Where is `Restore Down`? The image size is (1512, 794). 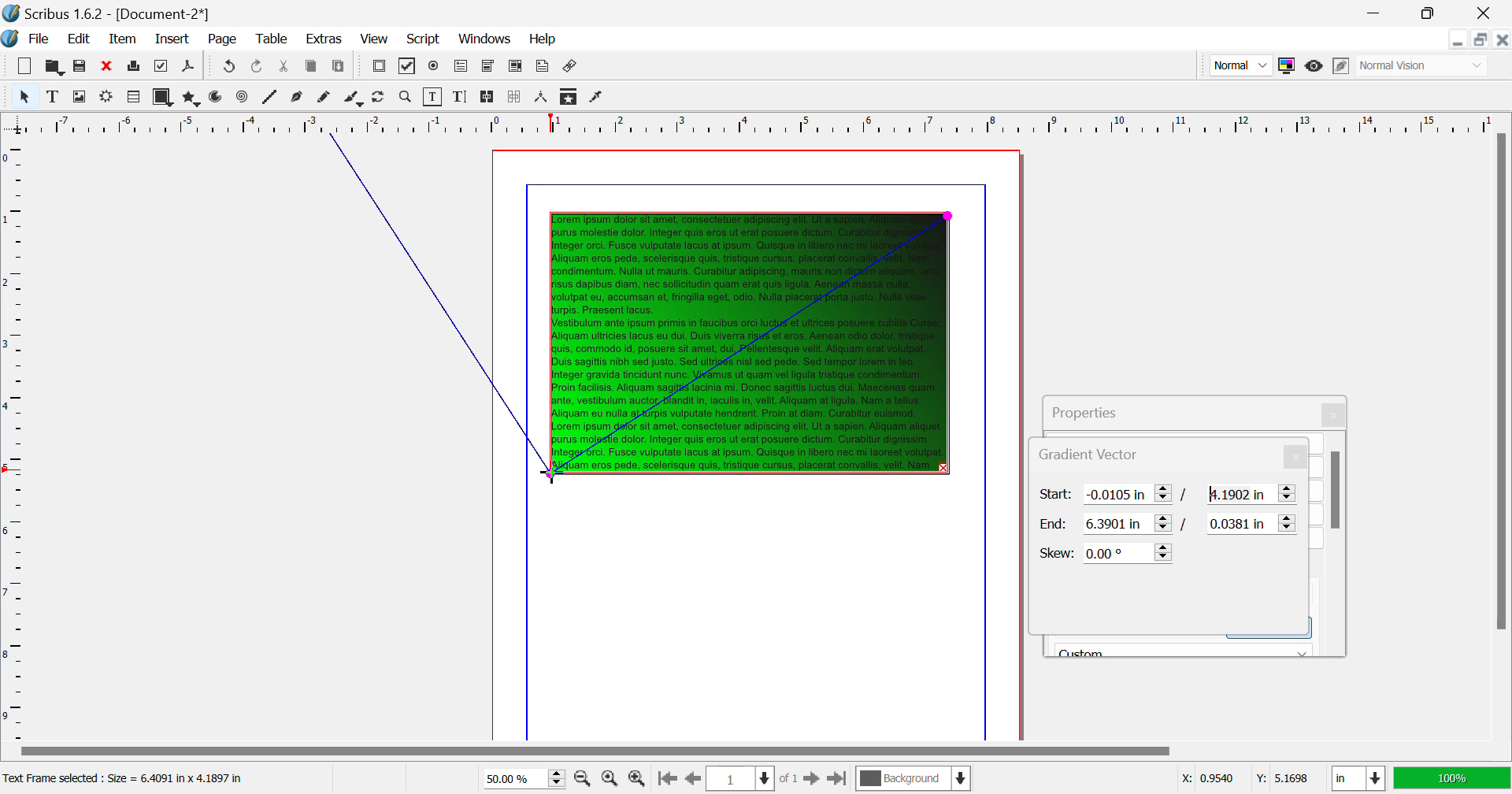
Restore Down is located at coordinates (1459, 39).